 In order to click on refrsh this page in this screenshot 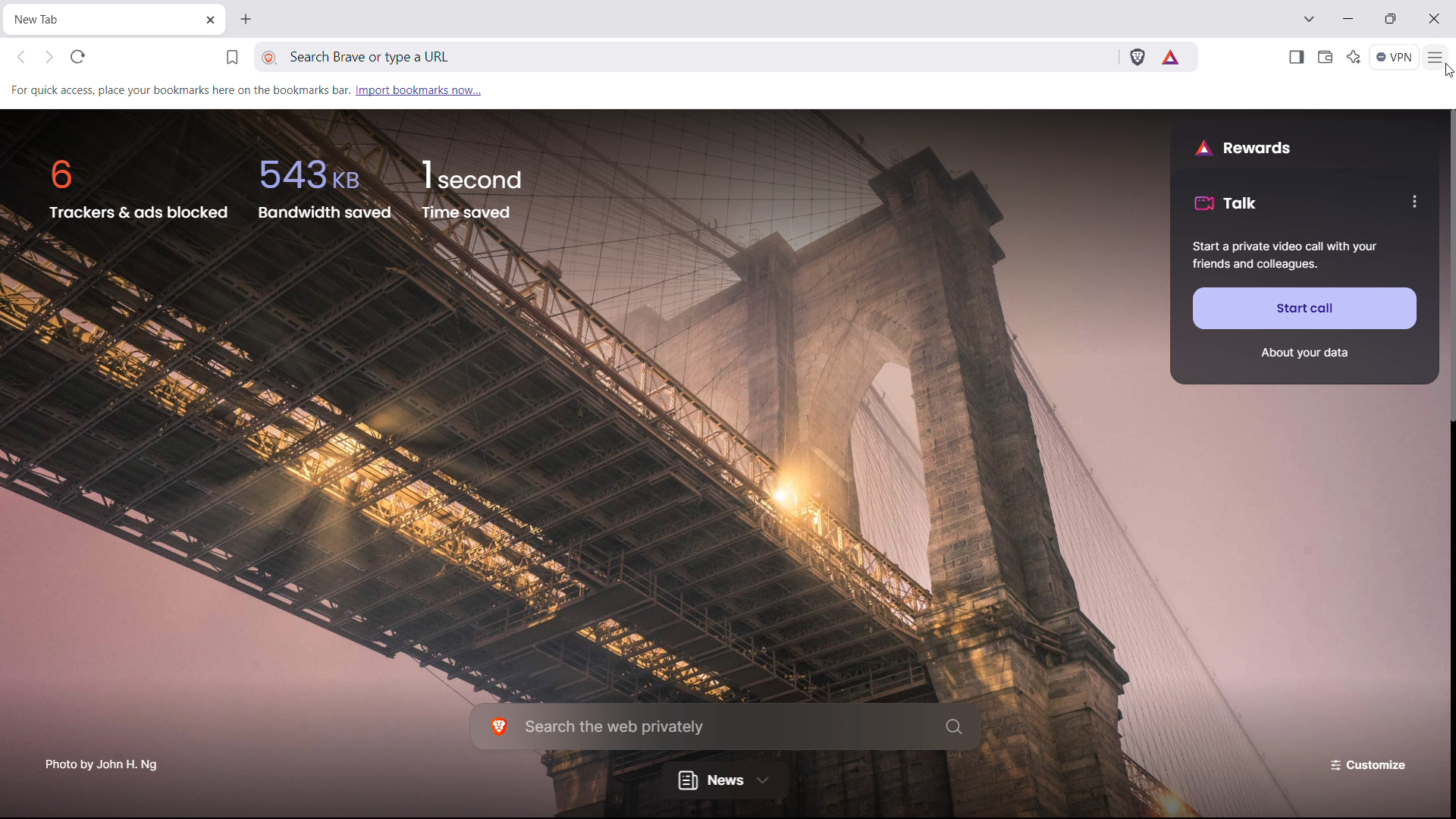, I will do `click(77, 57)`.